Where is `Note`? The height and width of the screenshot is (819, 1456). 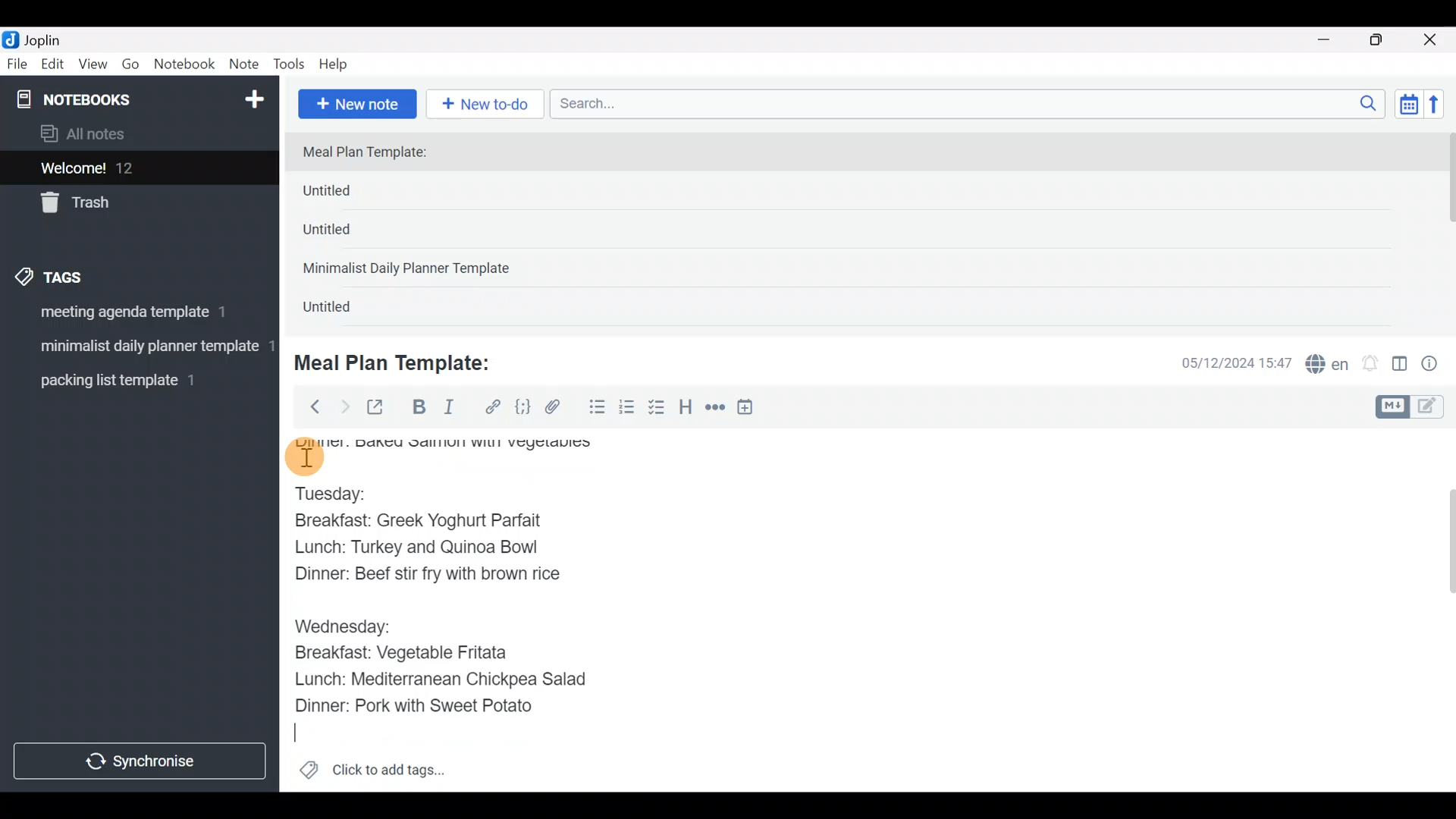 Note is located at coordinates (247, 65).